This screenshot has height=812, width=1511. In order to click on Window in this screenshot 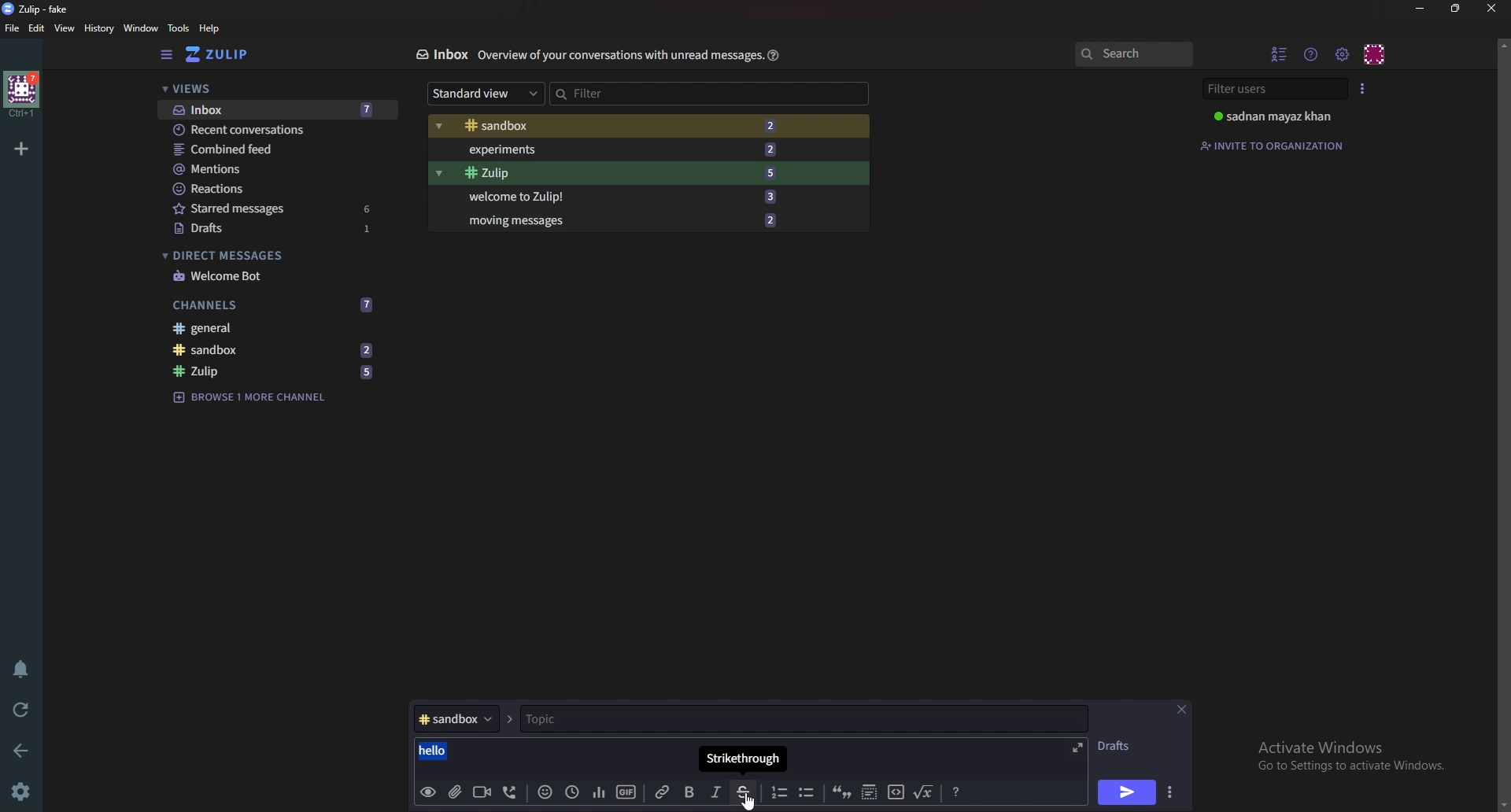, I will do `click(142, 28)`.